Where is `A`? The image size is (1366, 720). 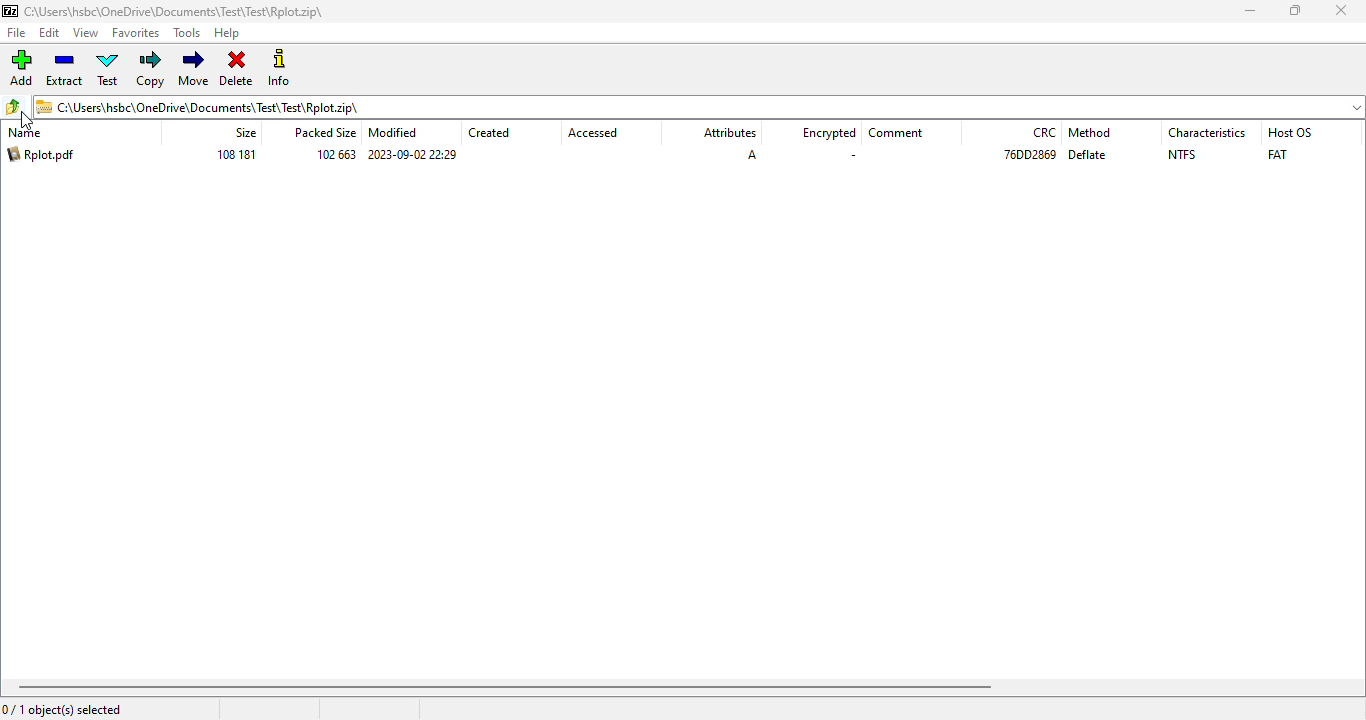
A is located at coordinates (750, 154).